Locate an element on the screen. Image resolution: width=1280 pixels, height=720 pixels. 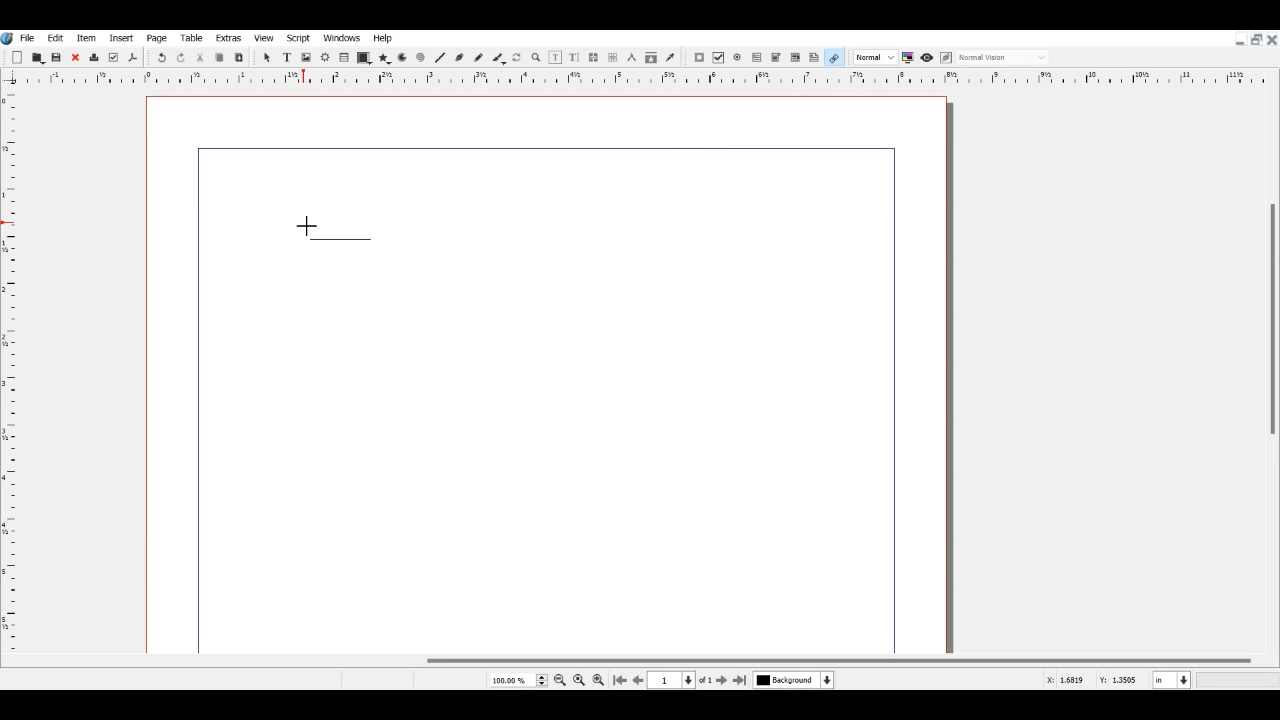
Go to Previous page is located at coordinates (638, 680).